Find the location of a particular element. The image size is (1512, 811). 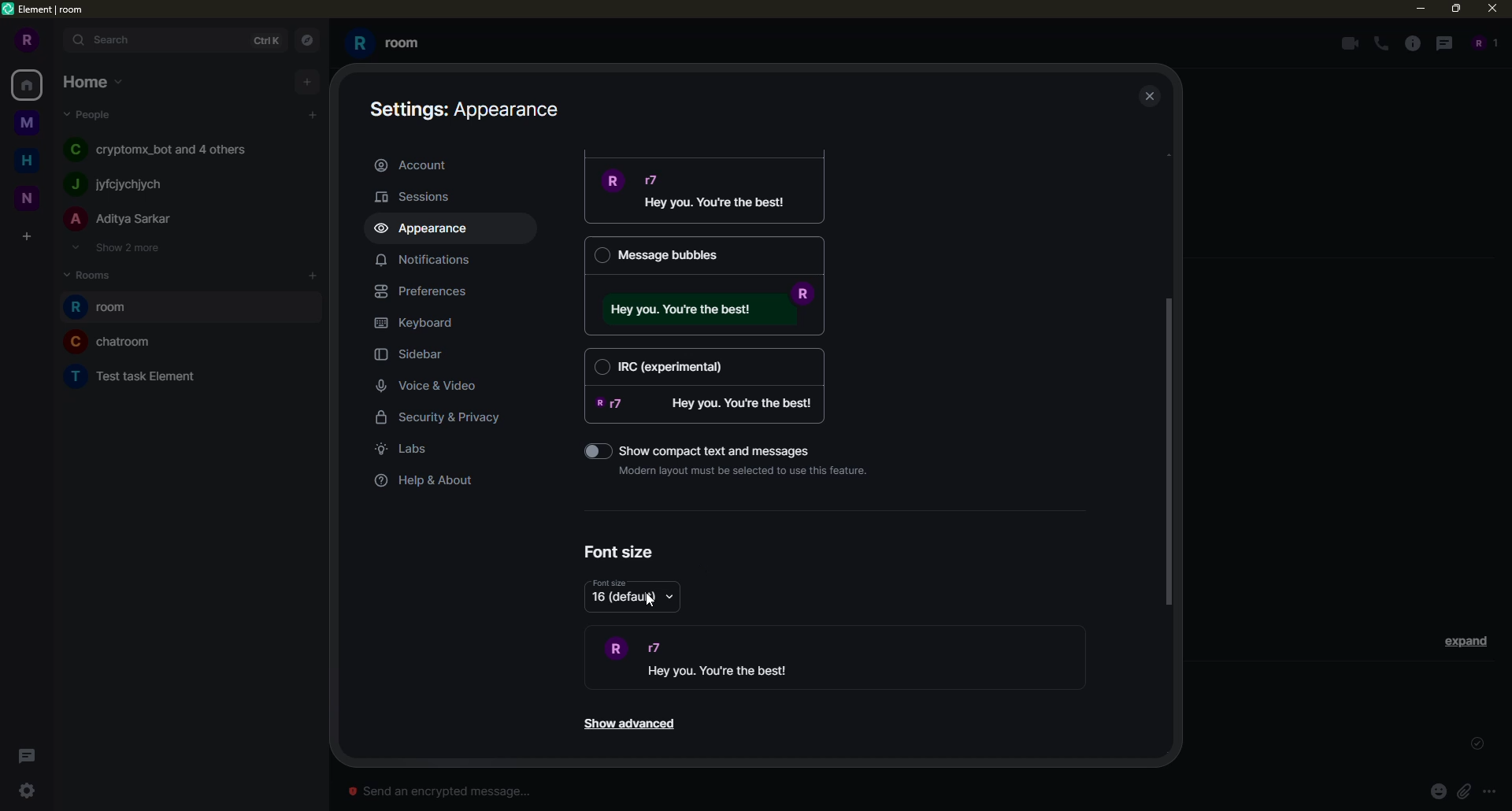

add is located at coordinates (314, 275).